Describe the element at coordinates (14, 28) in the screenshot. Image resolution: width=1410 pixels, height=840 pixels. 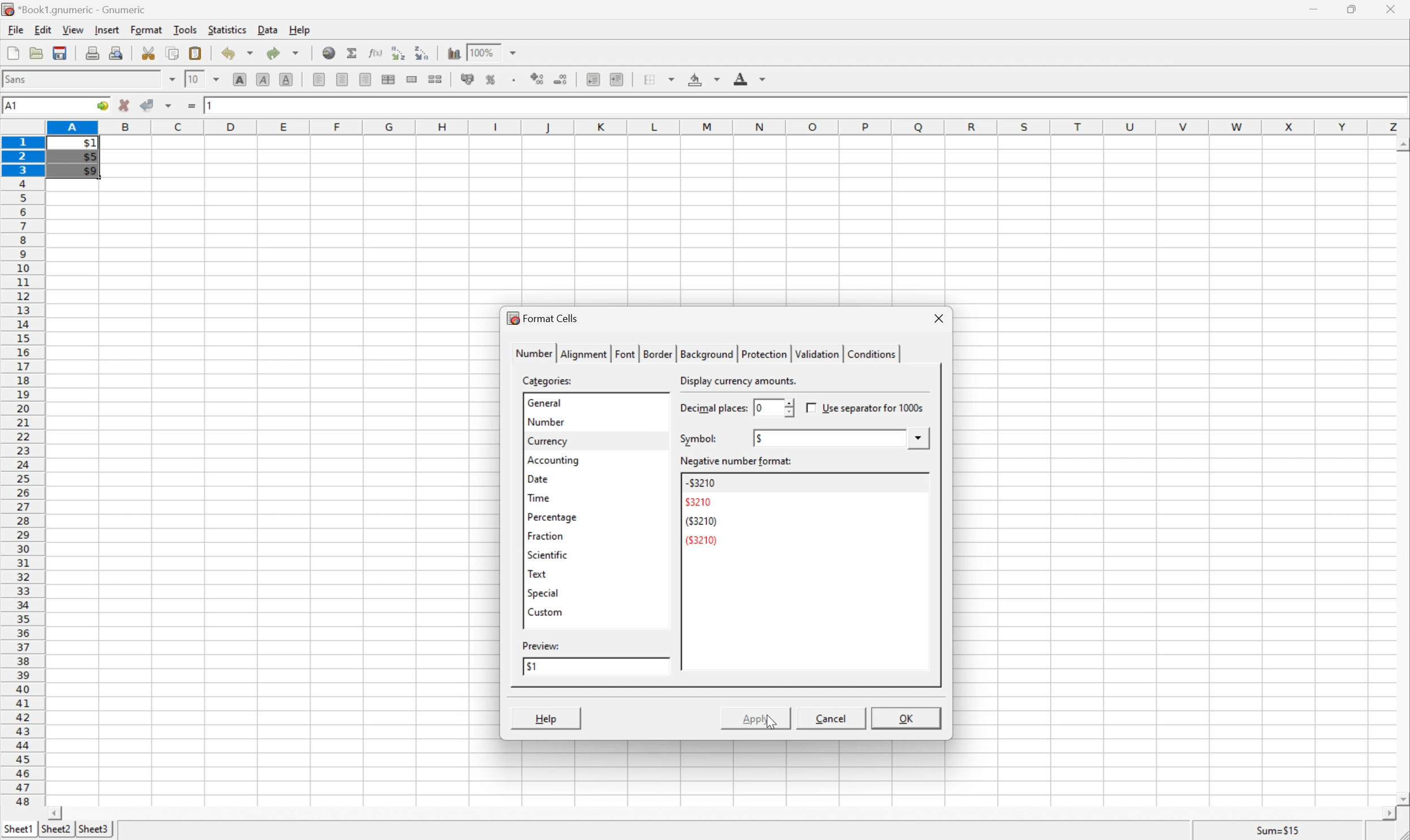
I see `file` at that location.